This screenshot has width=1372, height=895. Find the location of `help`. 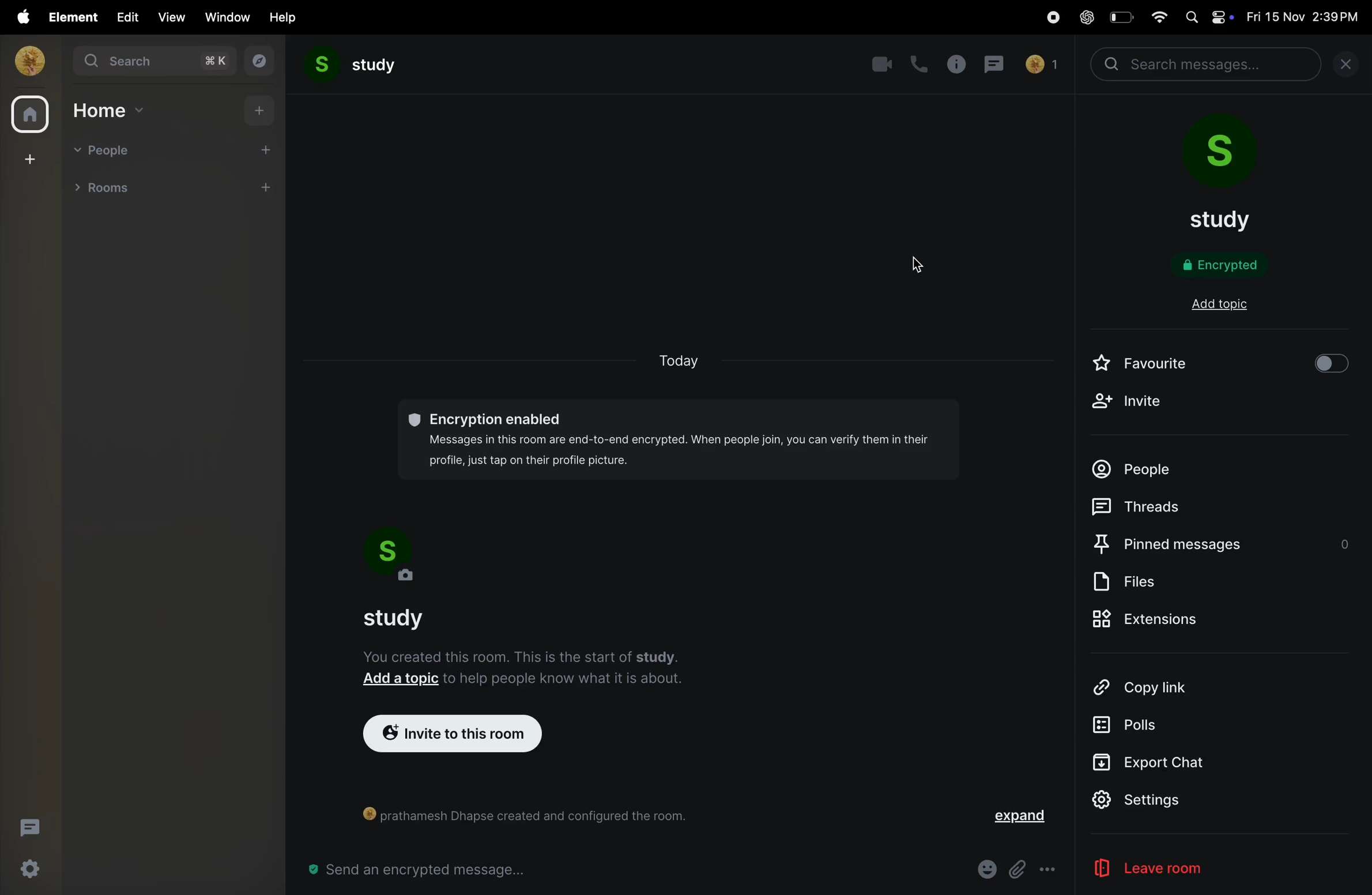

help is located at coordinates (284, 17).